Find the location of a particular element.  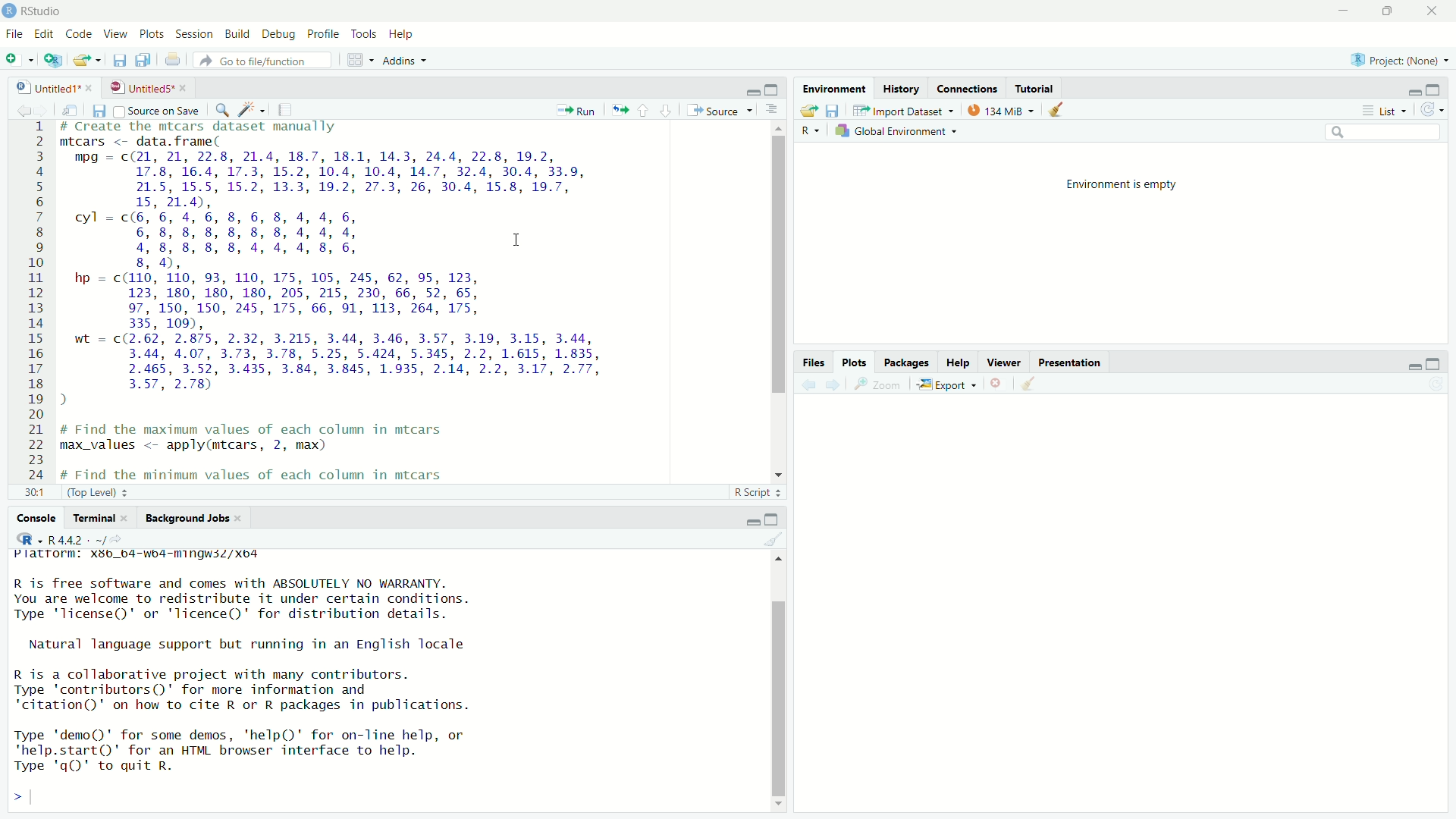

Environment is located at coordinates (835, 88).